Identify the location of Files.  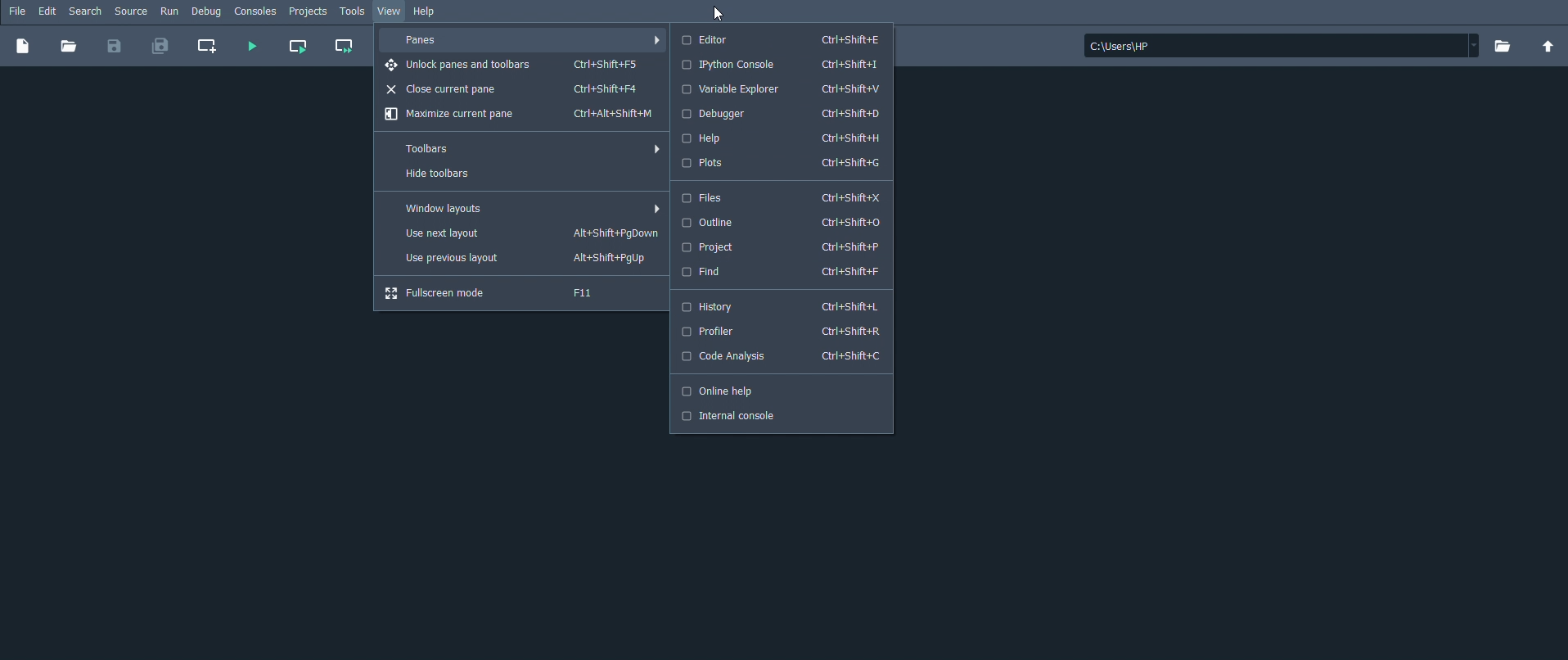
(786, 197).